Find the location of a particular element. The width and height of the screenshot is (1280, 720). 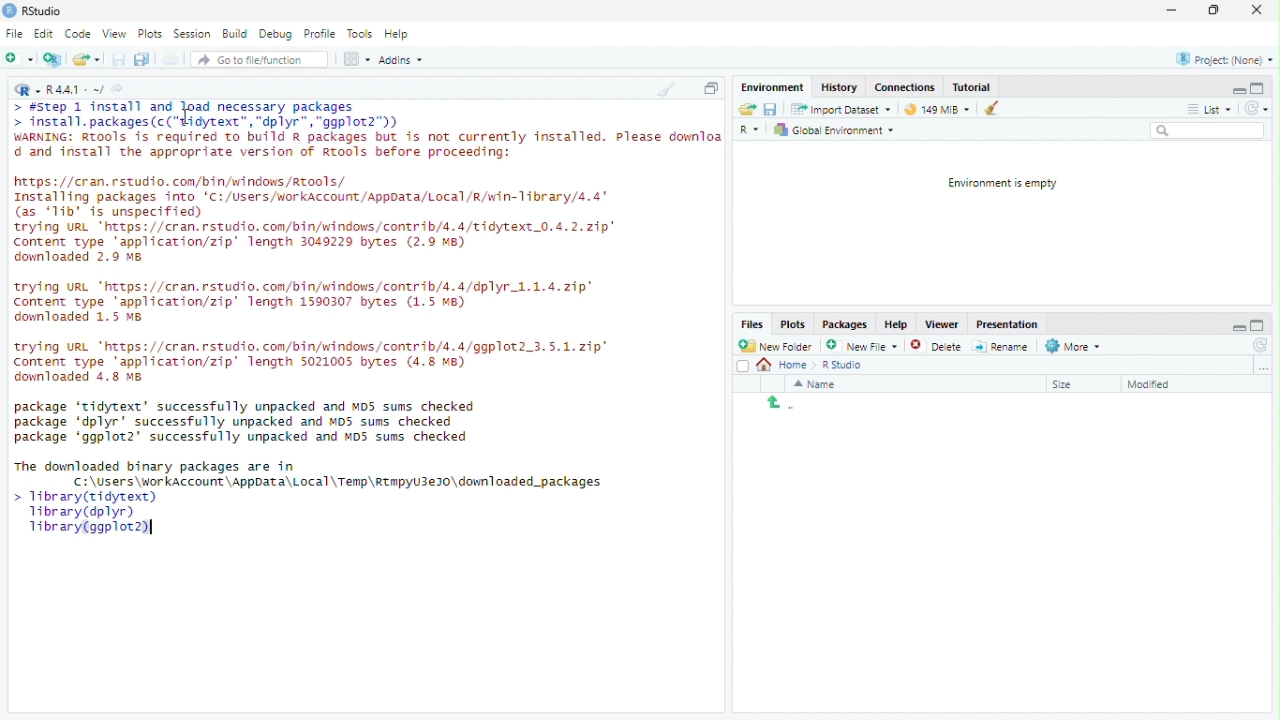

https: //cran. rstudio. con/bin/windows /Rtools/

Installing packages into ‘C:/uUsers/workAccount/Apppata/Local/R/win-1ibrary/s.s’
(as _‘1ib’ is unspecified)

trying URL "https: //cran.rstudio. con/bin/windows/contrib/4.4/tidytext 0.4.2. 2p"
content type ‘application/zip’ length 3049229 bytes (2.9 M8)

downloaded 2.9 MB is located at coordinates (320, 222).